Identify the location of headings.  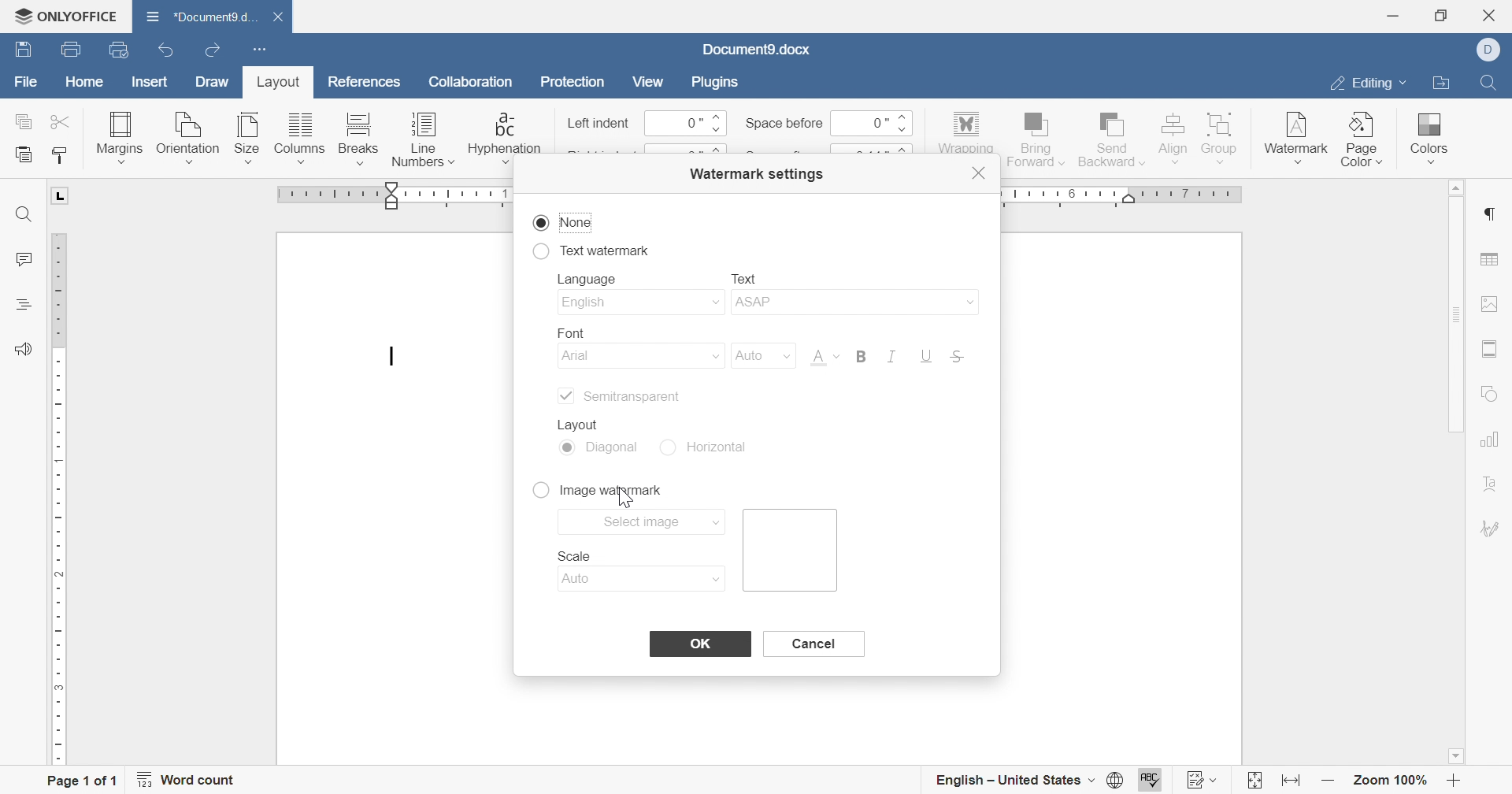
(21, 304).